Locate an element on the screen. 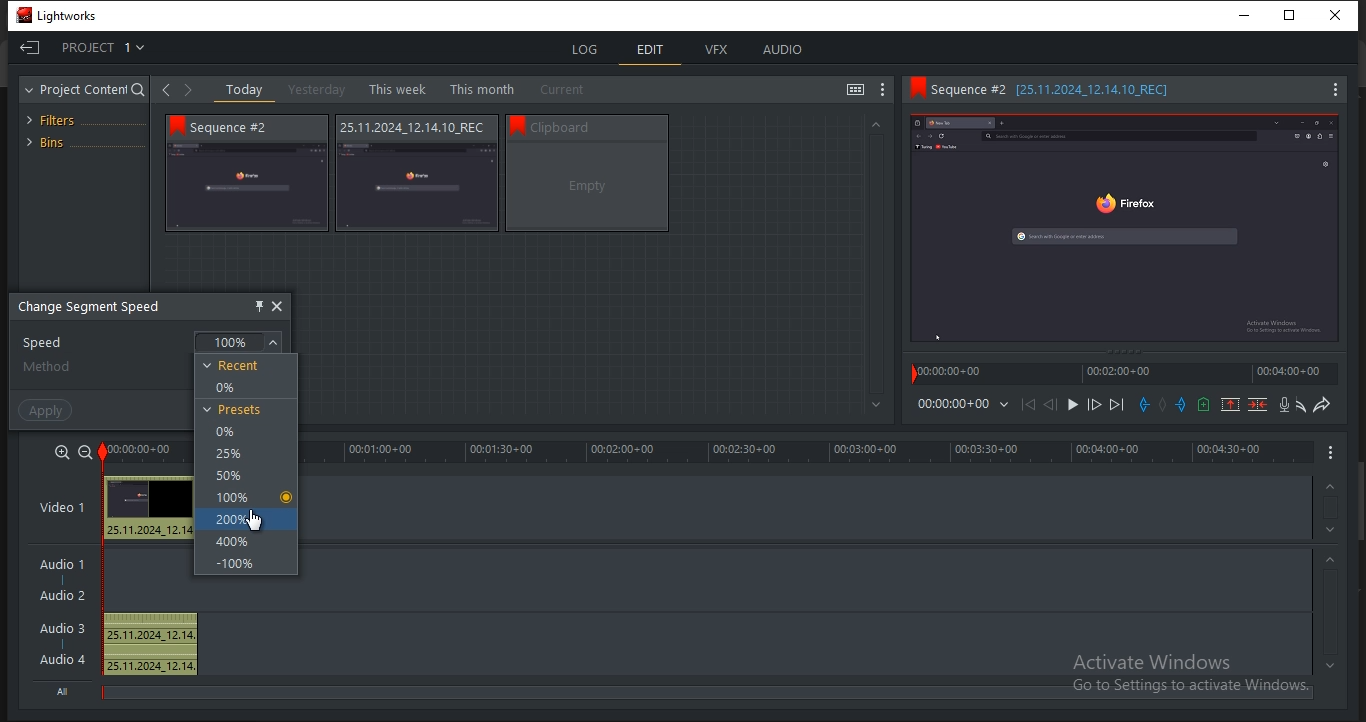 This screenshot has width=1366, height=722. video thumbnail is located at coordinates (587, 186).